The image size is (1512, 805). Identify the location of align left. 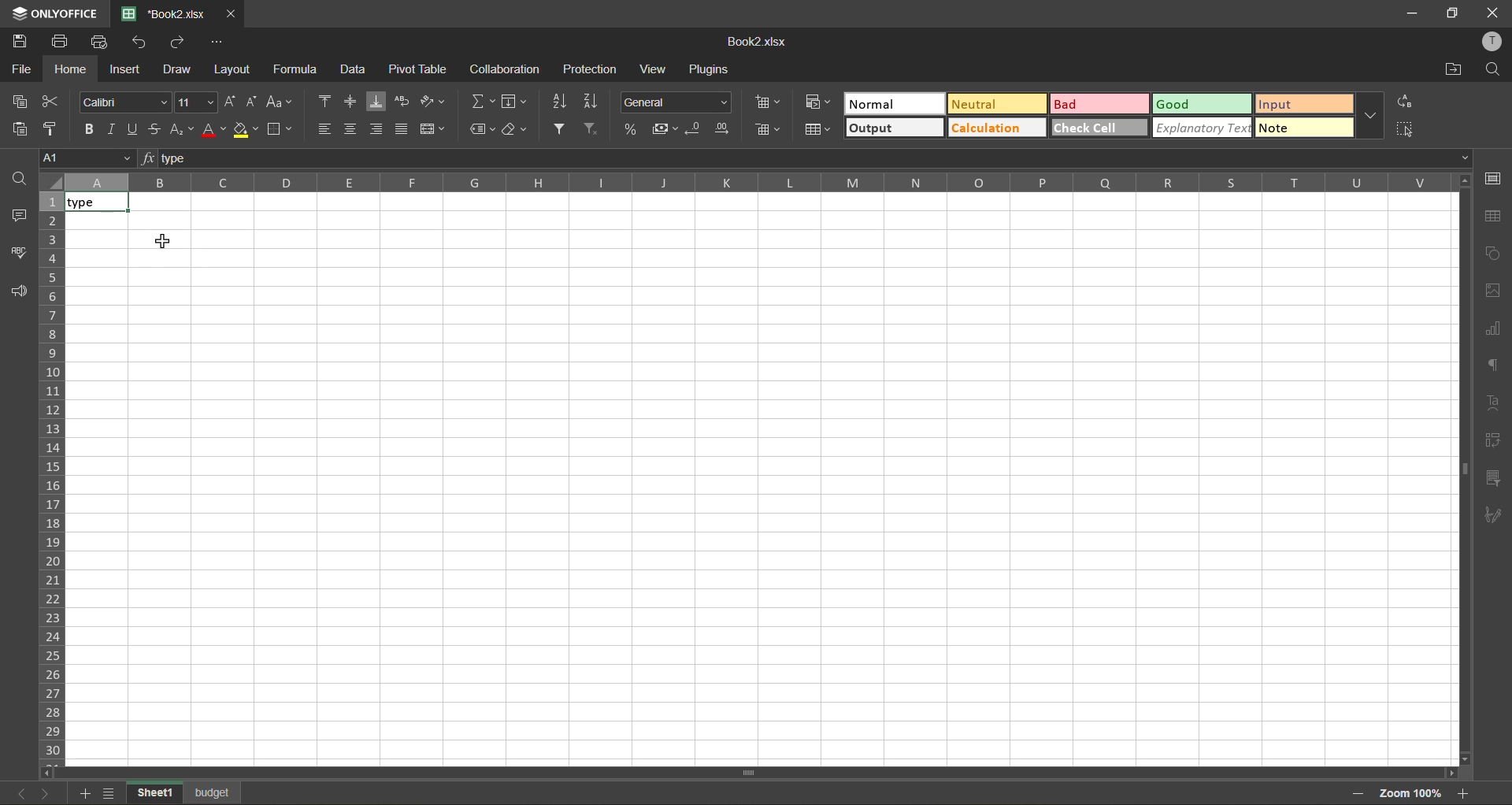
(325, 128).